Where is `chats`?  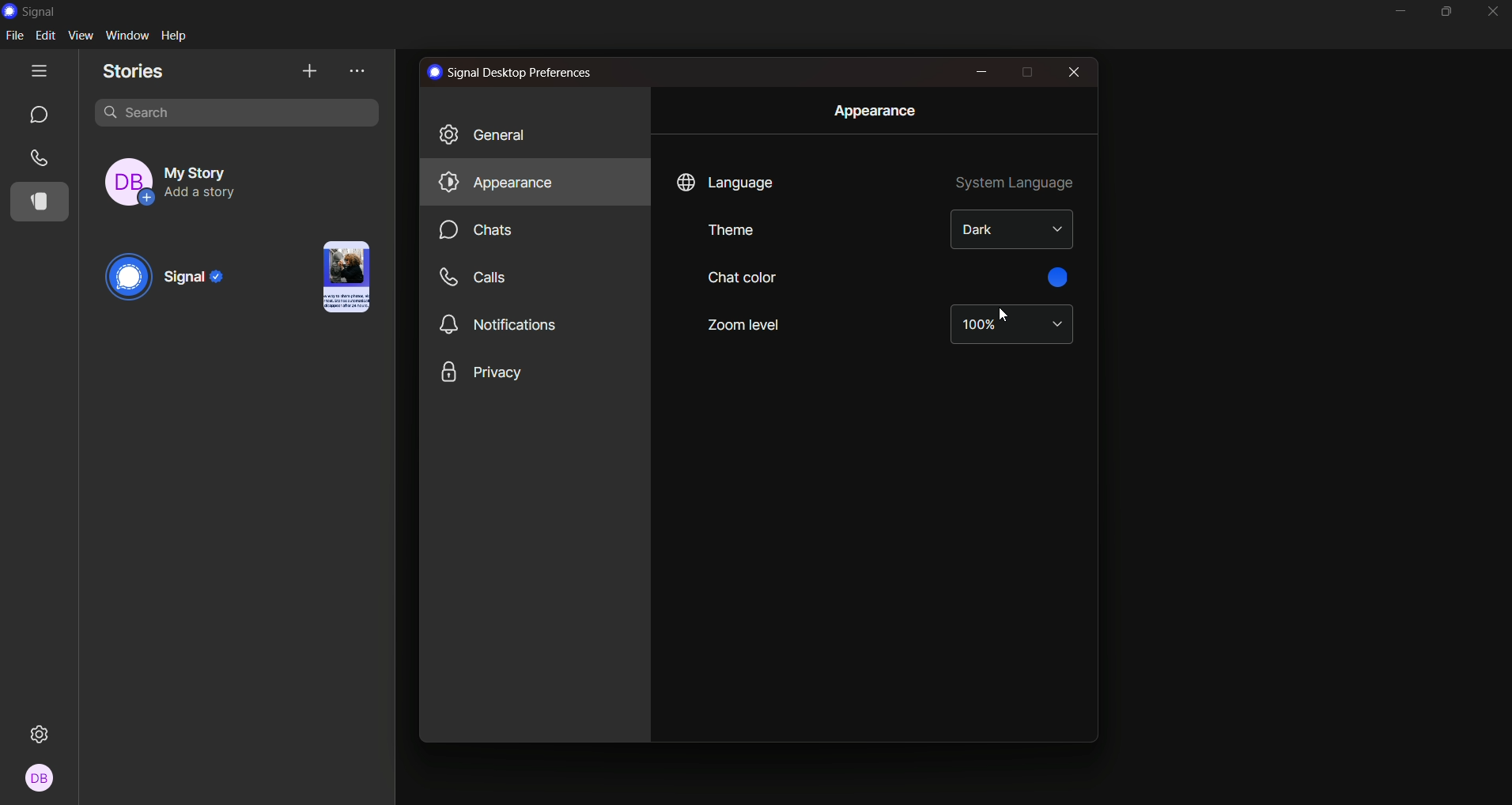 chats is located at coordinates (482, 231).